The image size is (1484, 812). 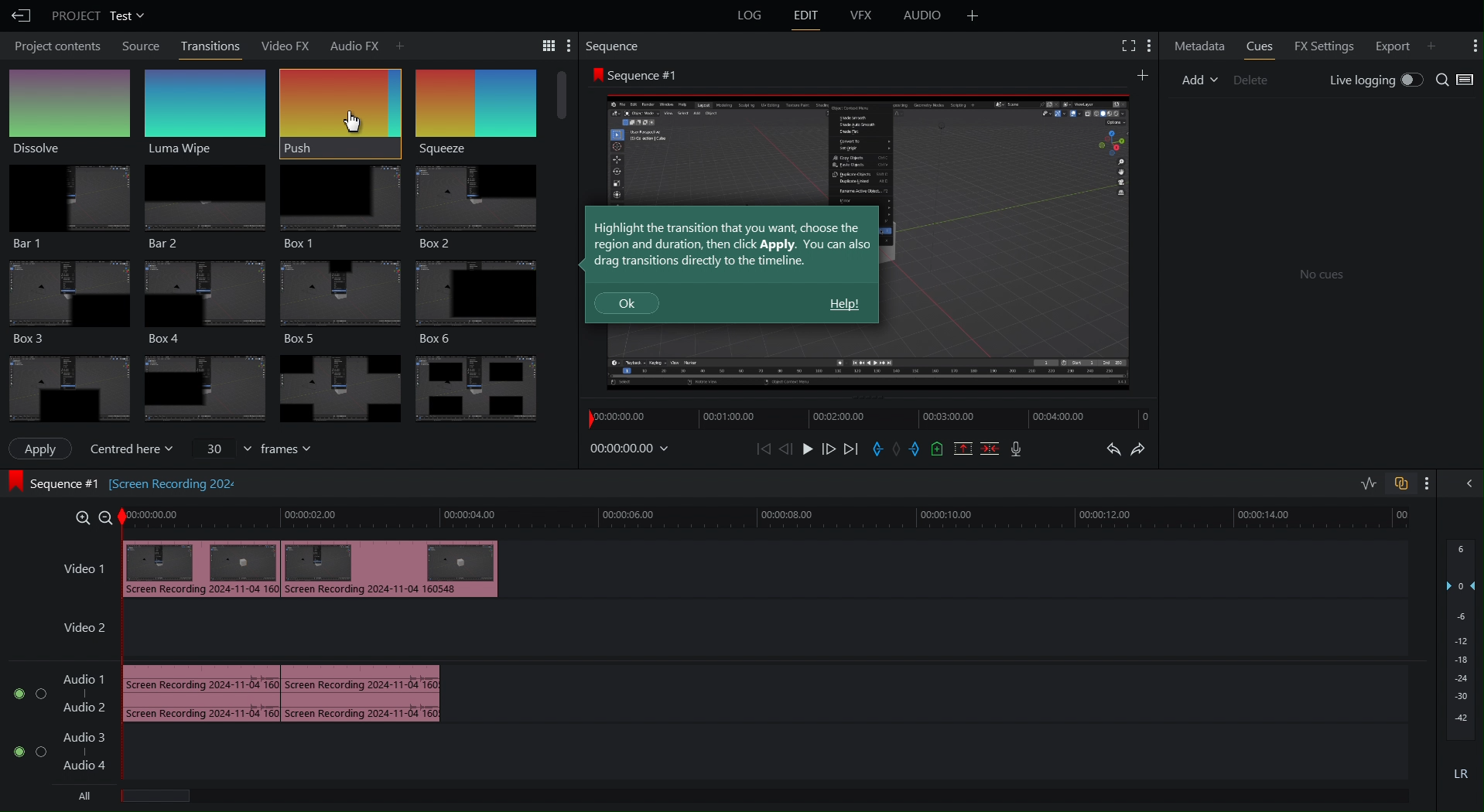 What do you see at coordinates (1148, 45) in the screenshot?
I see `More` at bounding box center [1148, 45].